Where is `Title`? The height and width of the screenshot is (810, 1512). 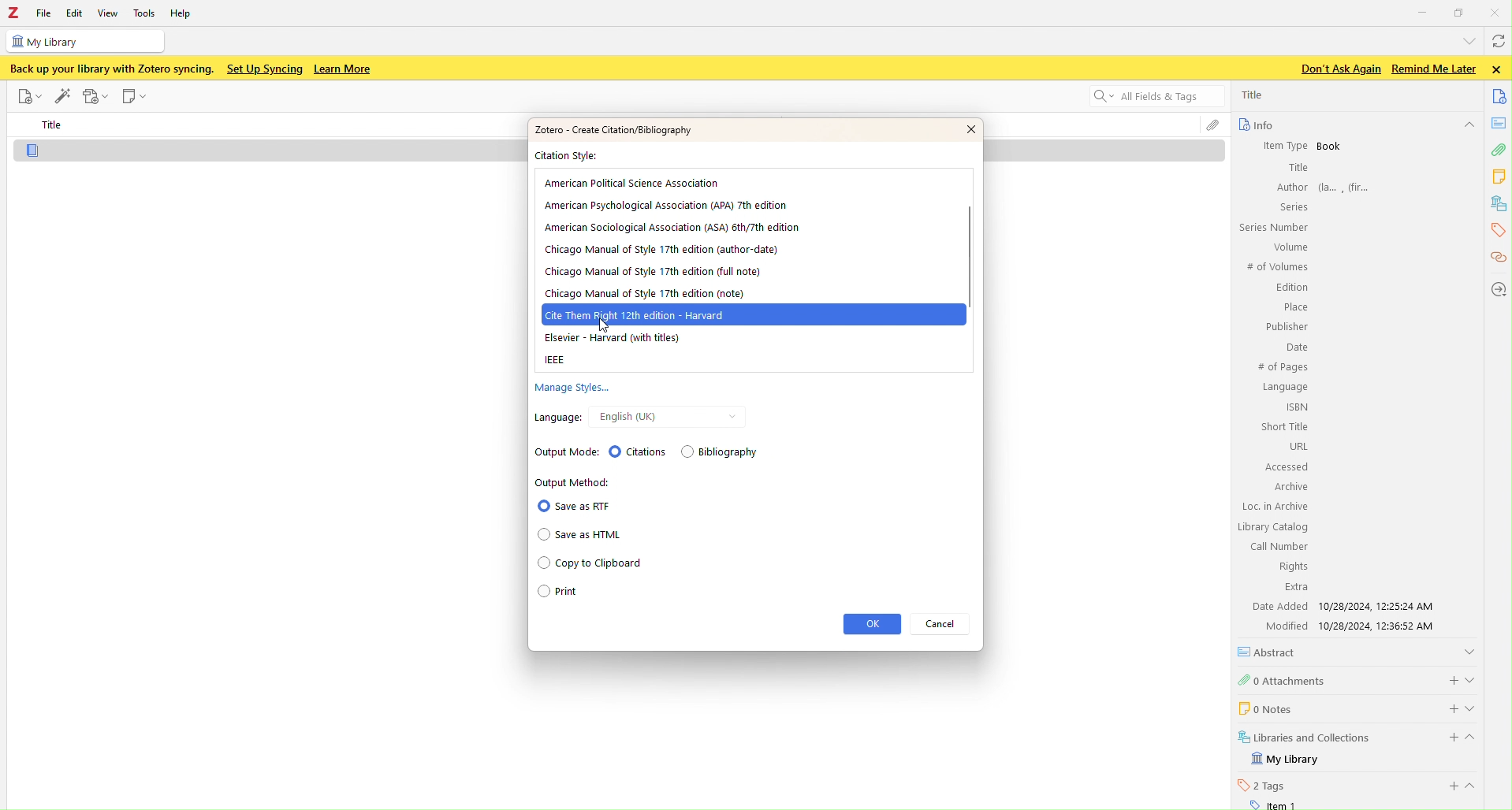 Title is located at coordinates (54, 125).